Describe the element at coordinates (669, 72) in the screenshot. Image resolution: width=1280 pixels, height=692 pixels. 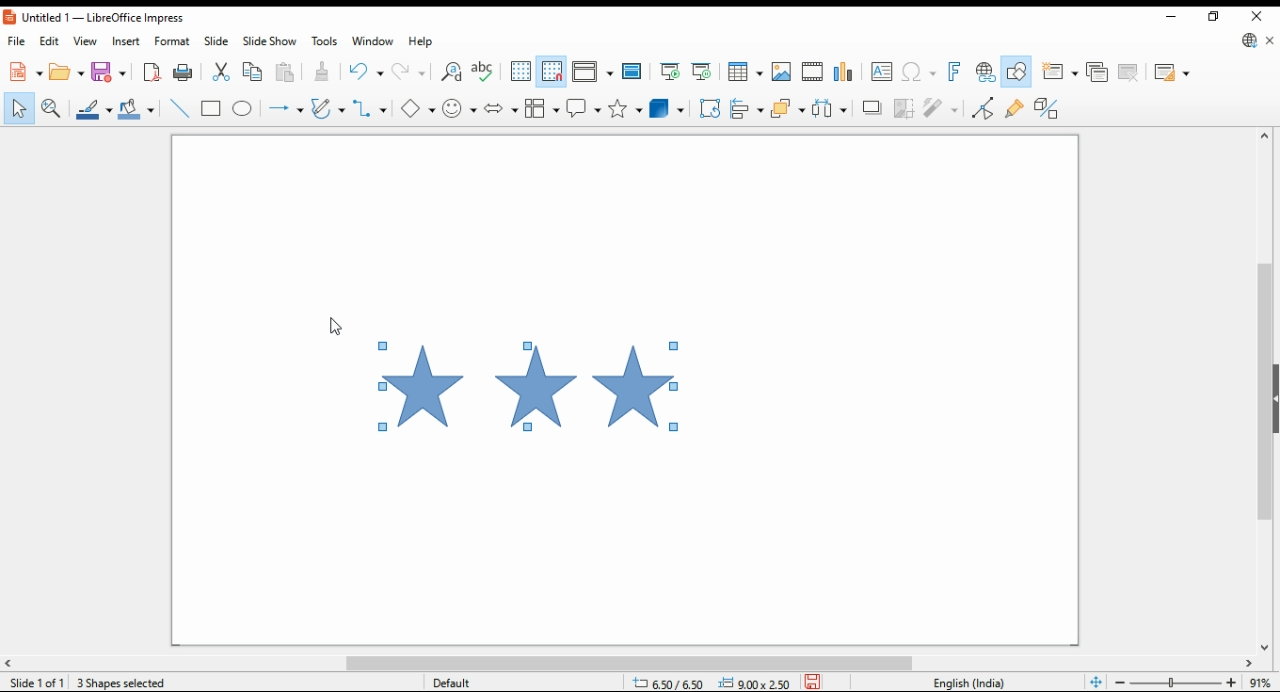
I see `start from first slide` at that location.